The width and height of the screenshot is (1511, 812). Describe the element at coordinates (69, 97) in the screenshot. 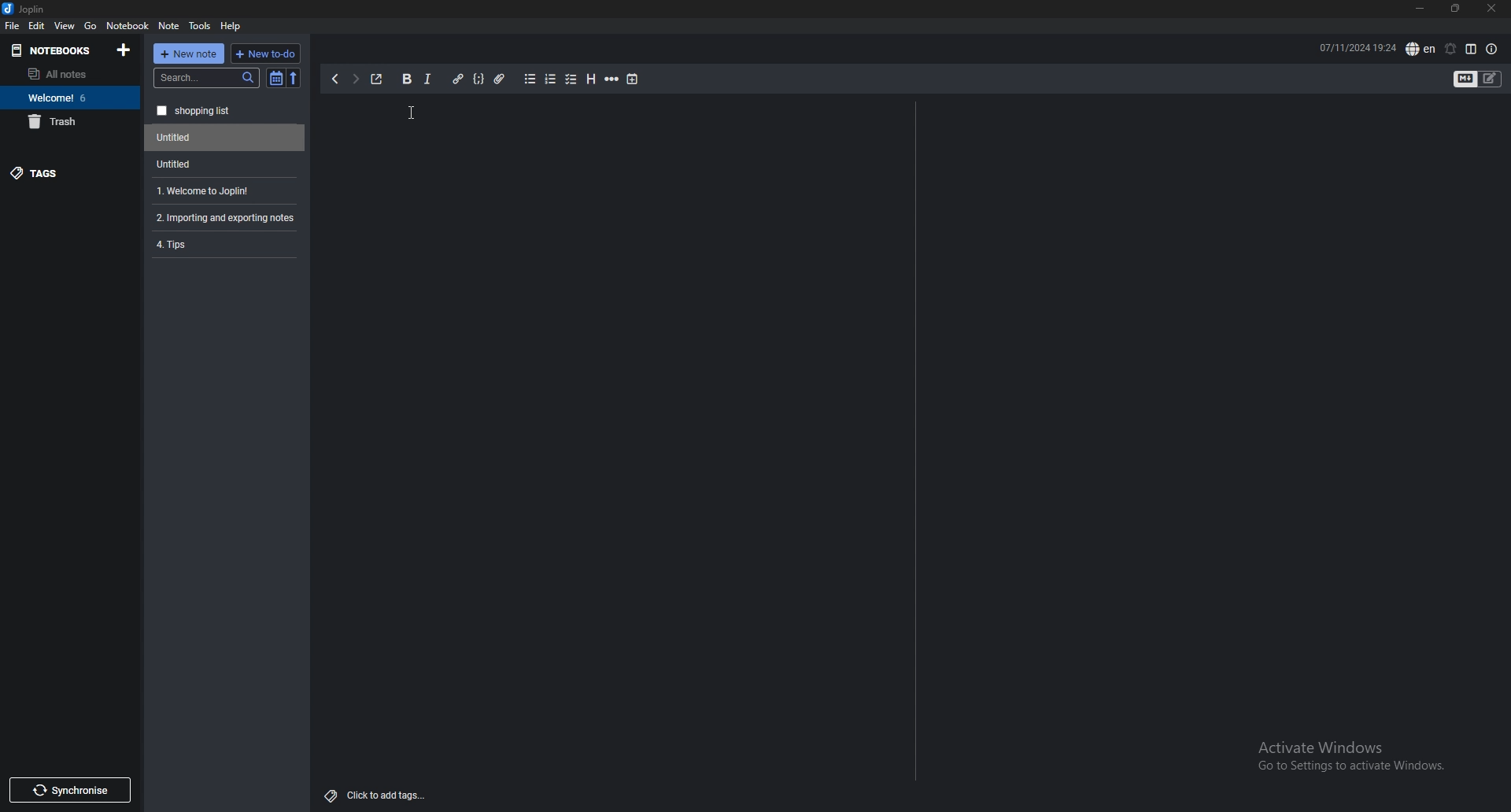

I see `Welcome` at that location.